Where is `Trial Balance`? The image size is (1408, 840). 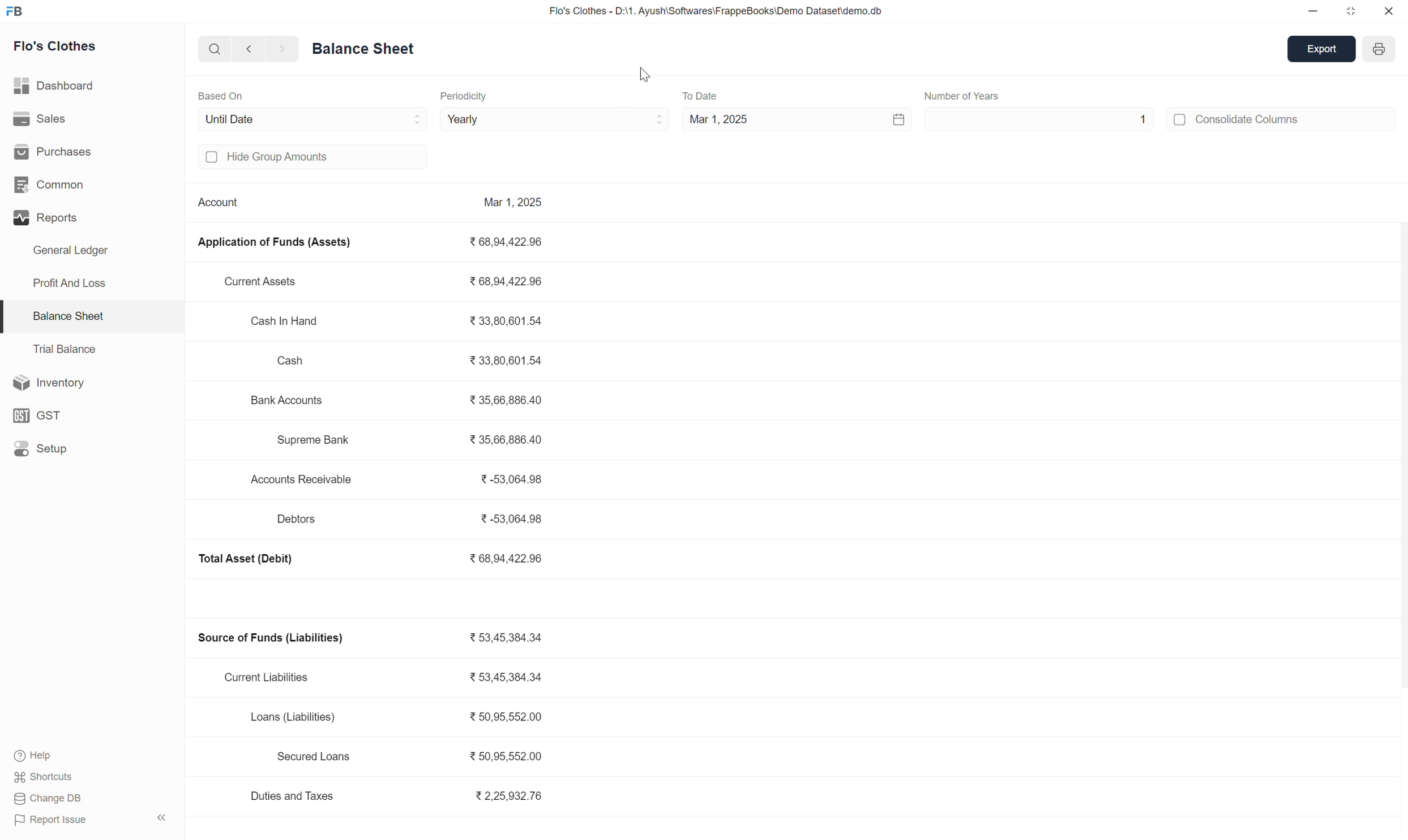
Trial Balance is located at coordinates (70, 350).